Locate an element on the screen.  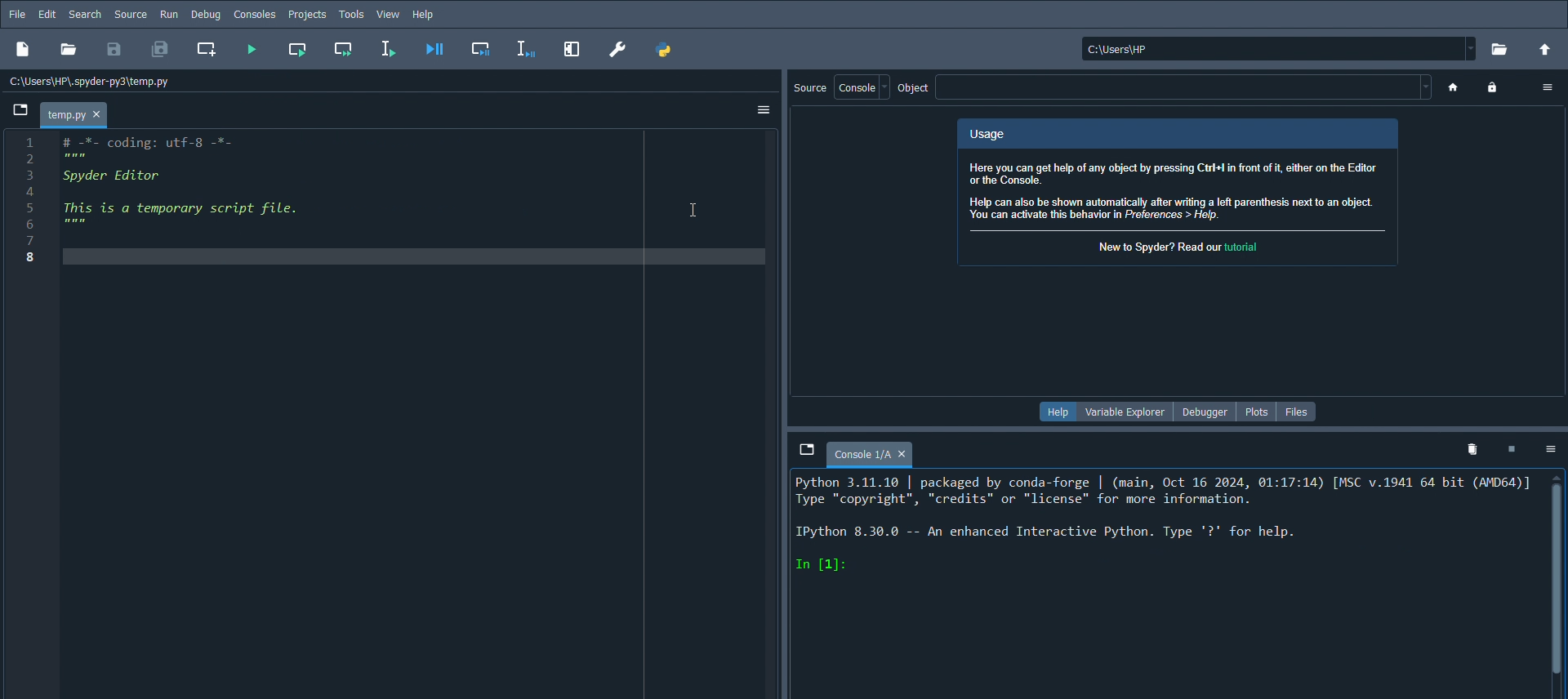
Help is located at coordinates (1056, 411).